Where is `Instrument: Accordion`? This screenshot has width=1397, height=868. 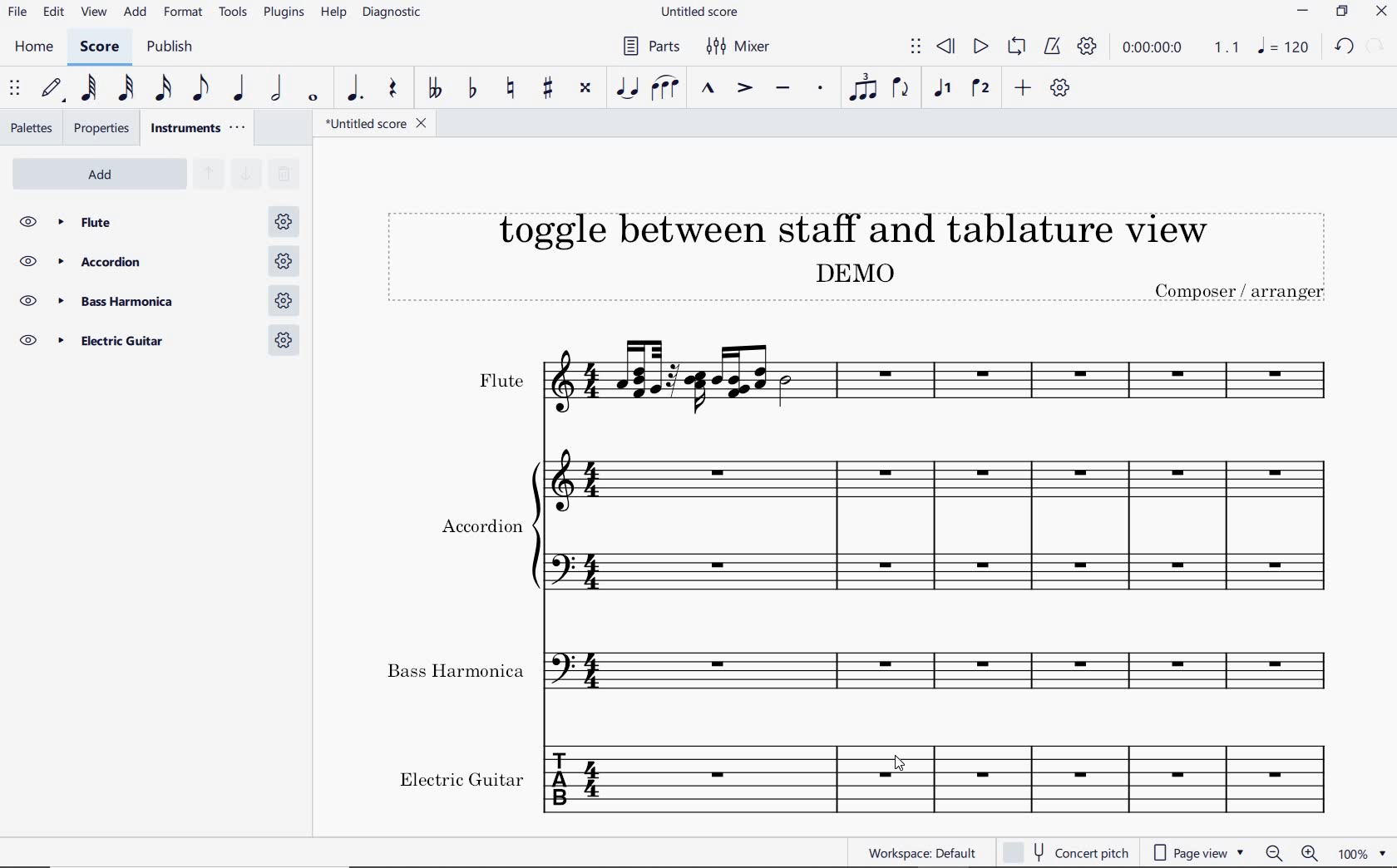
Instrument: Accordion is located at coordinates (868, 534).